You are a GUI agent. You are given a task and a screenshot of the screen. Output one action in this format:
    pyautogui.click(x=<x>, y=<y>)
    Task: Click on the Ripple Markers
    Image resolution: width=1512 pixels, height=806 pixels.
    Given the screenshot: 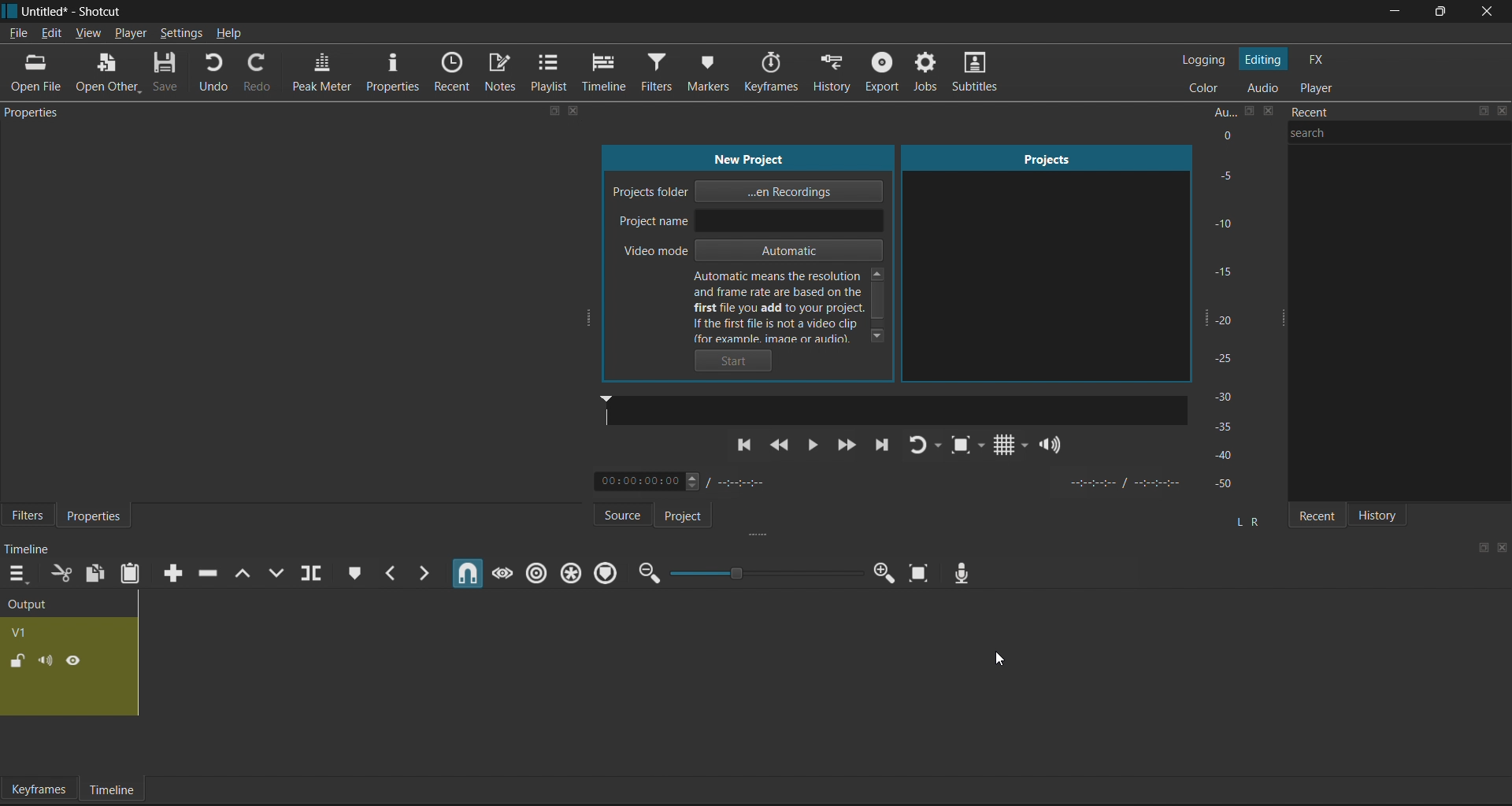 What is the action you would take?
    pyautogui.click(x=609, y=572)
    